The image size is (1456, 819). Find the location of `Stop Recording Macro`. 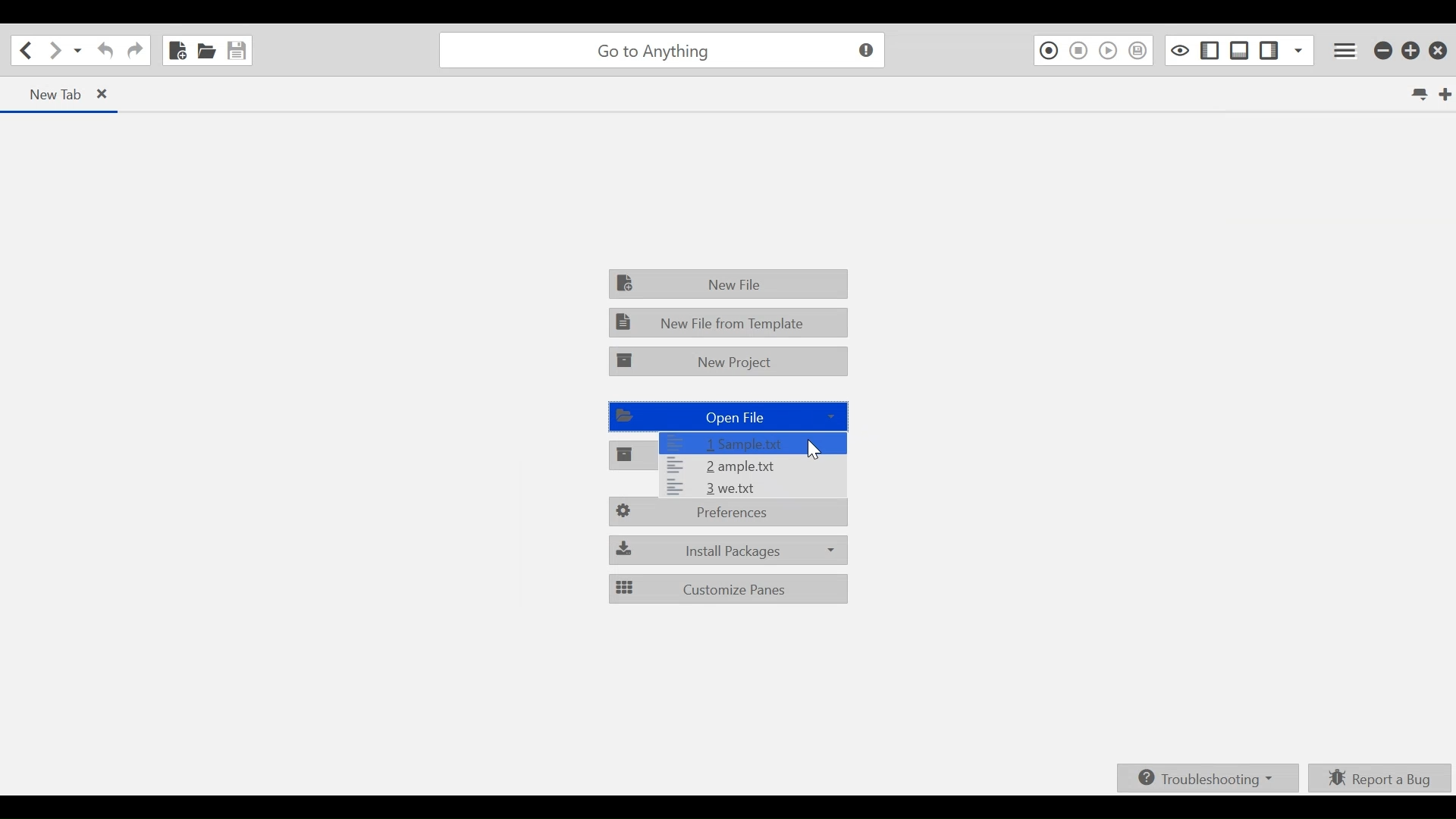

Stop Recording Macro is located at coordinates (1079, 51).